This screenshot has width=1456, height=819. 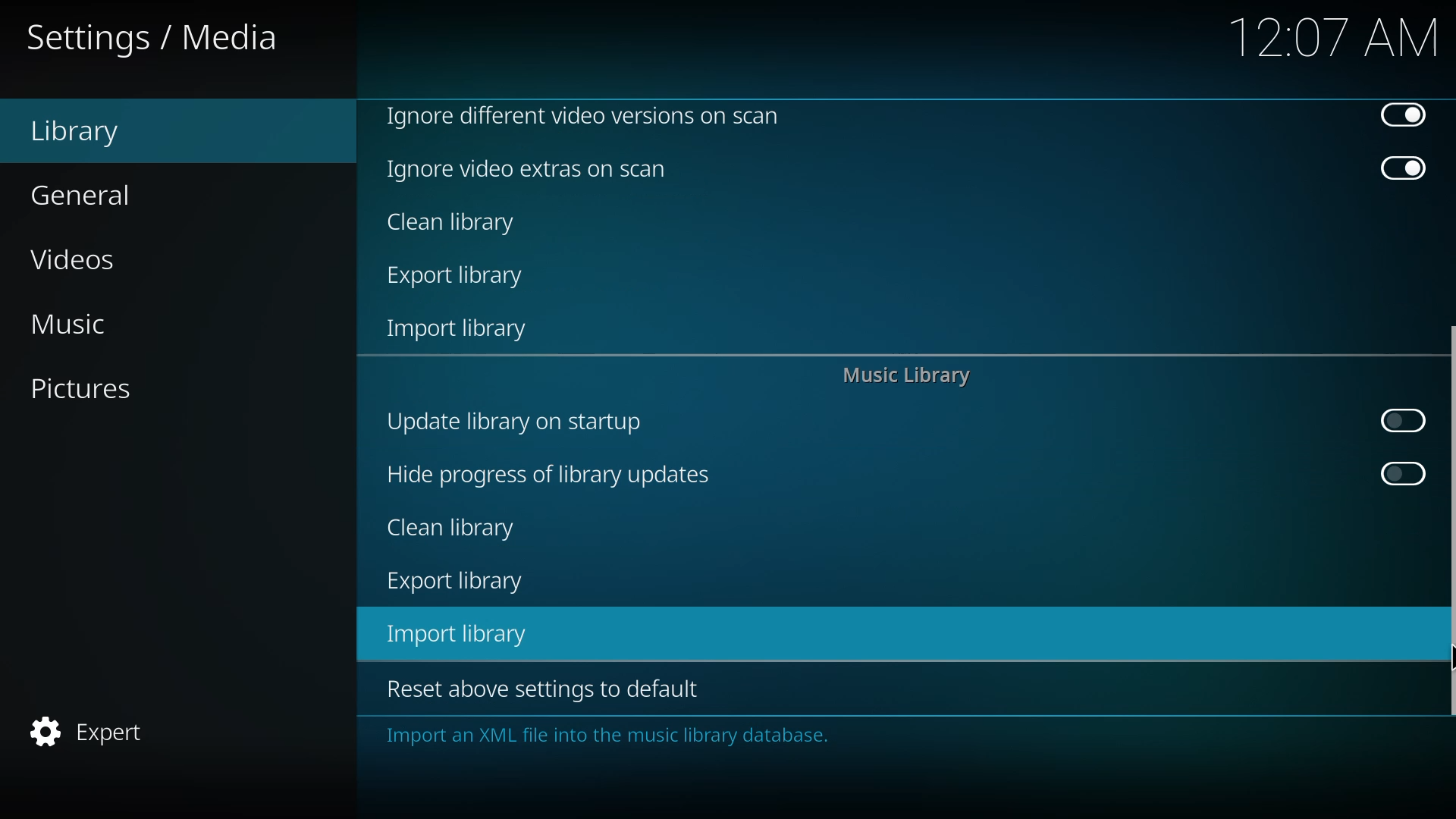 What do you see at coordinates (529, 169) in the screenshot?
I see `ignore` at bounding box center [529, 169].